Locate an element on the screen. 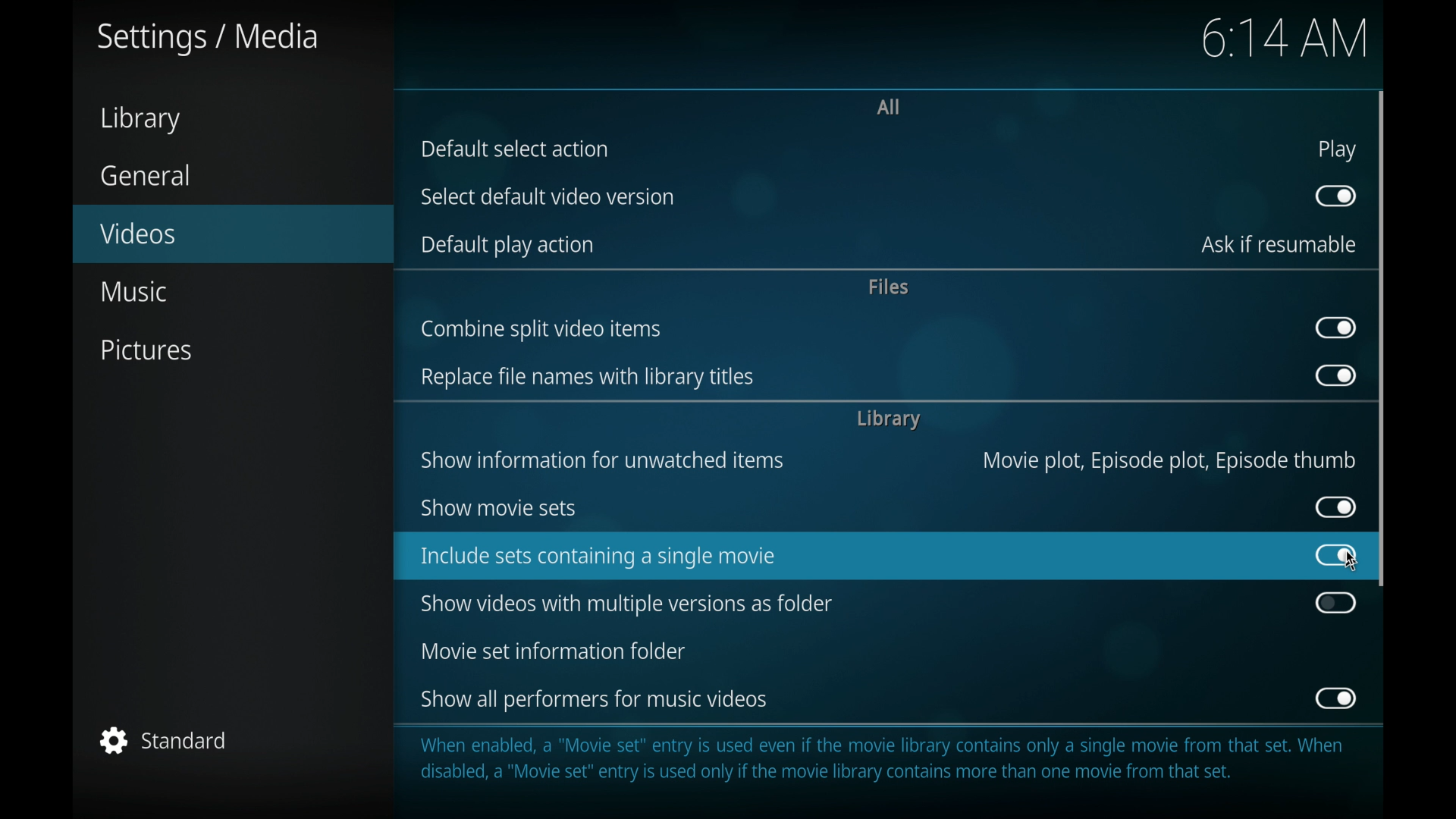 The image size is (1456, 819). general is located at coordinates (146, 174).